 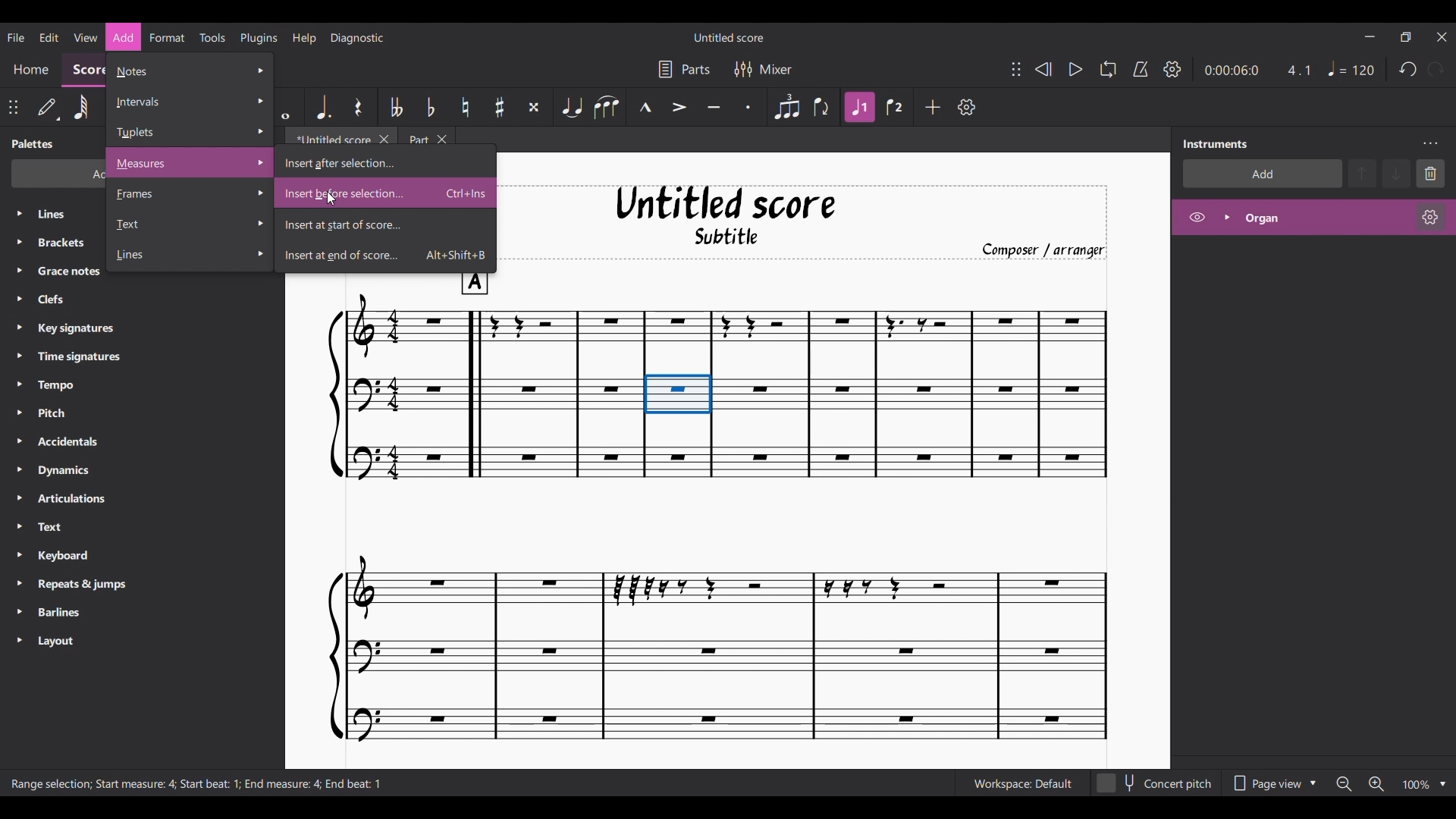 I want to click on Frame options, so click(x=190, y=194).